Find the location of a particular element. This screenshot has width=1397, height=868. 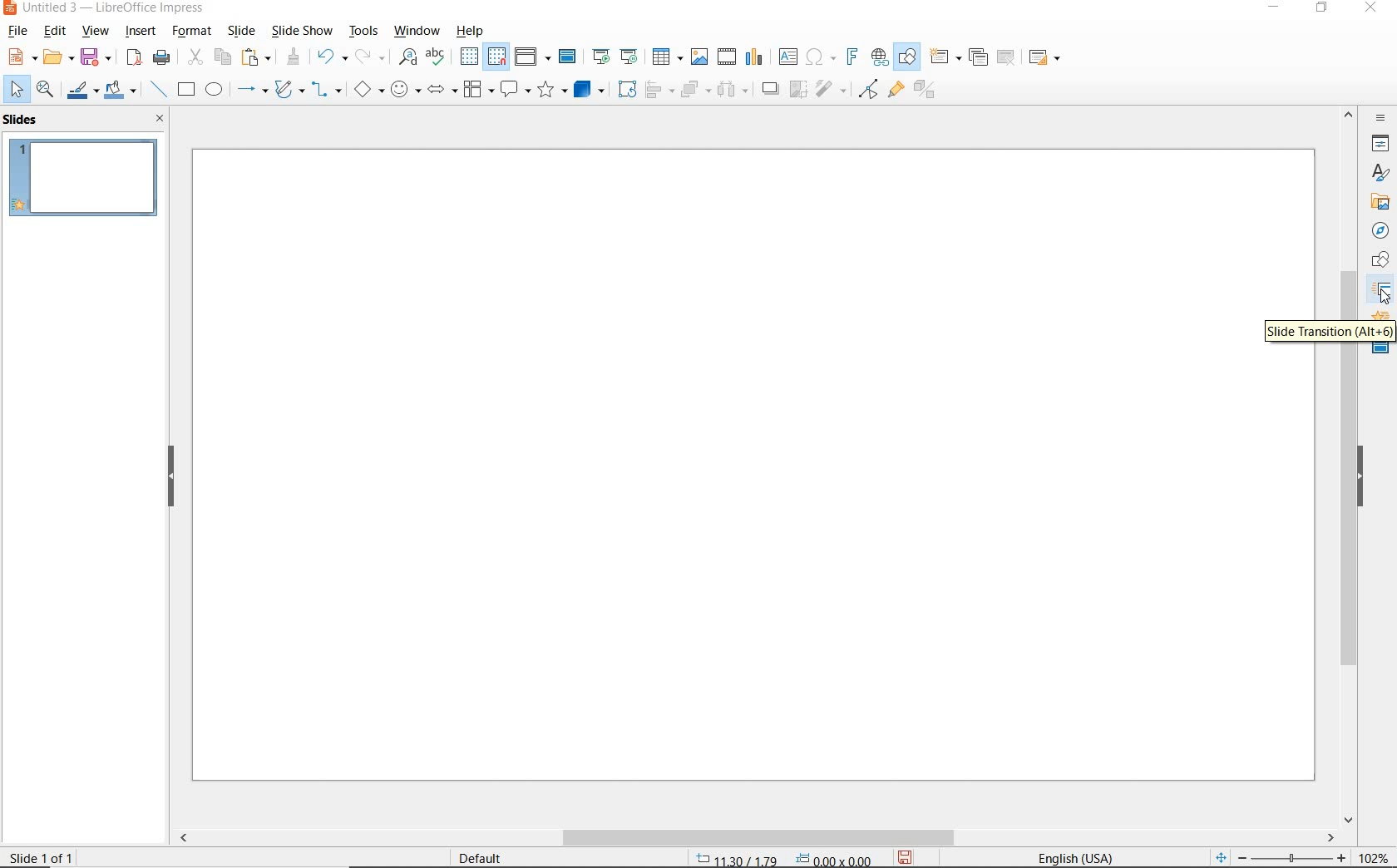

INSERT CHART is located at coordinates (756, 57).